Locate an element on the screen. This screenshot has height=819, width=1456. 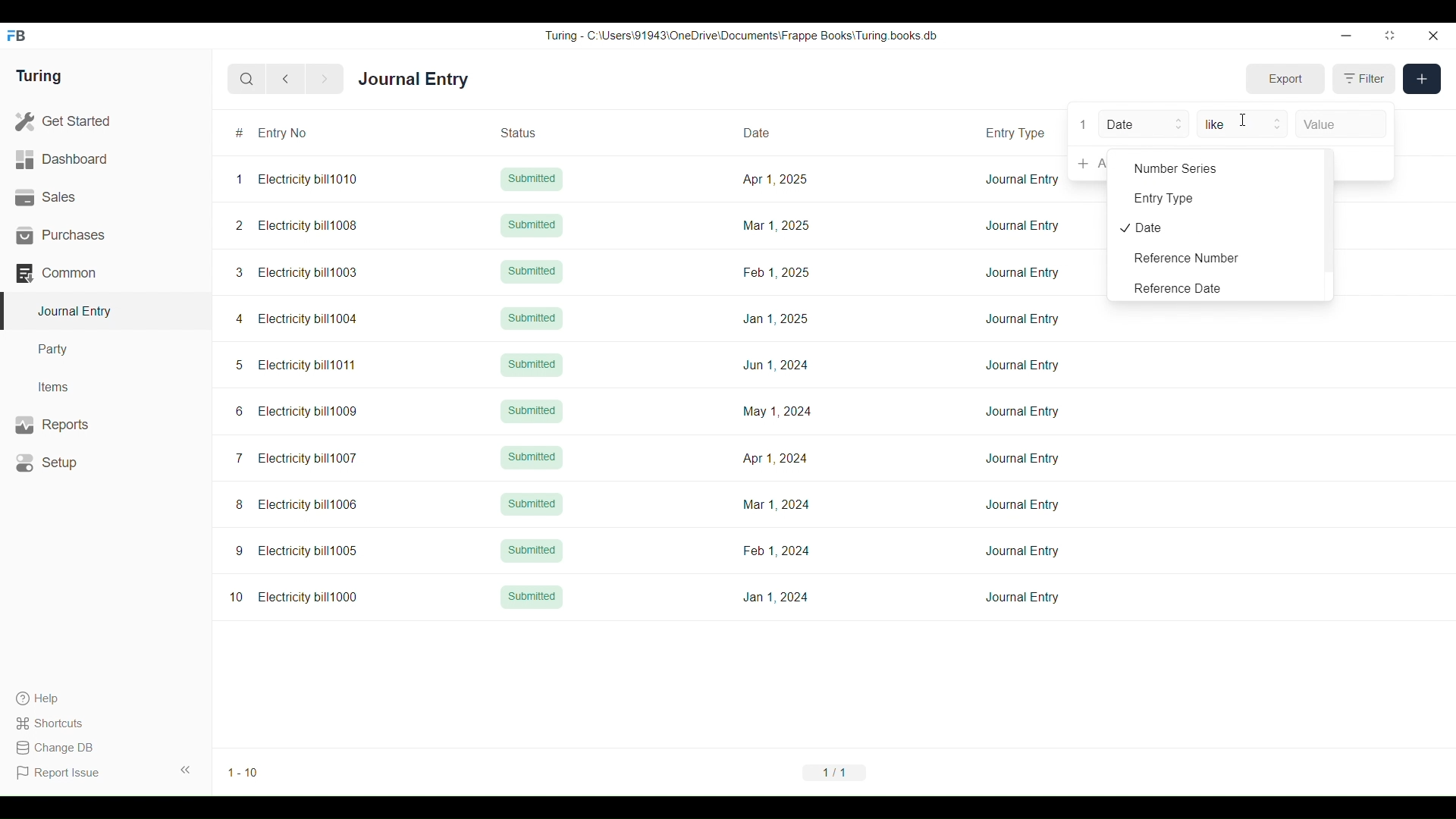
Jan 1, 2025 is located at coordinates (776, 318).